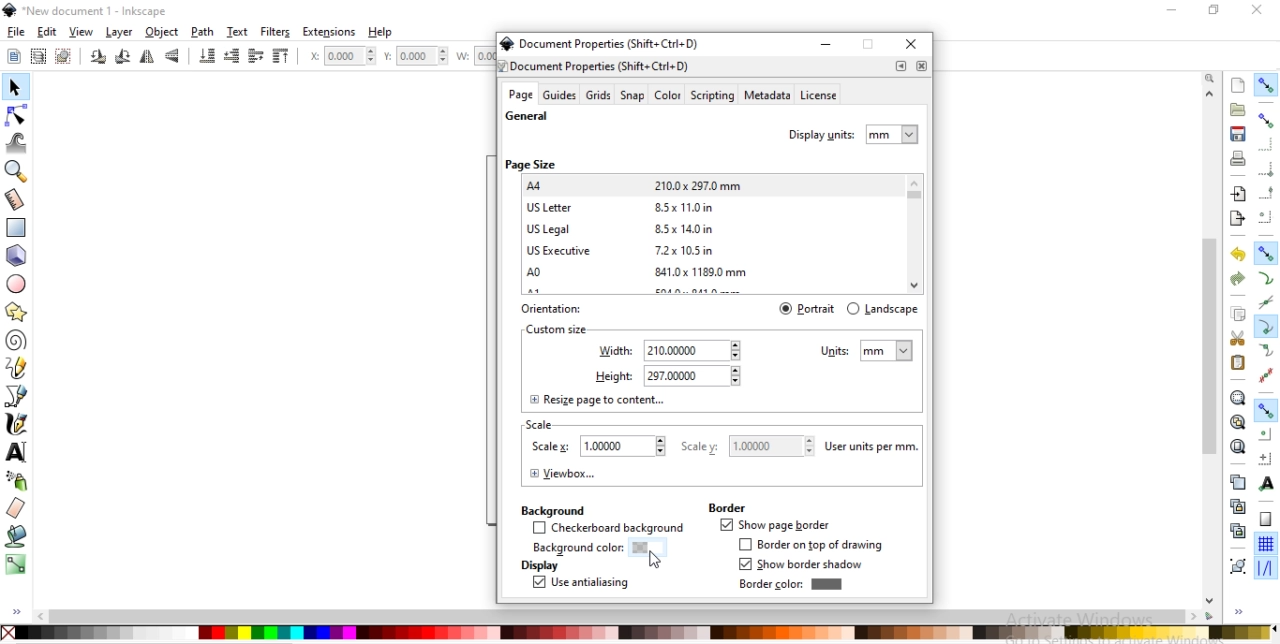 Image resolution: width=1280 pixels, height=644 pixels. What do you see at coordinates (46, 32) in the screenshot?
I see `edit` at bounding box center [46, 32].